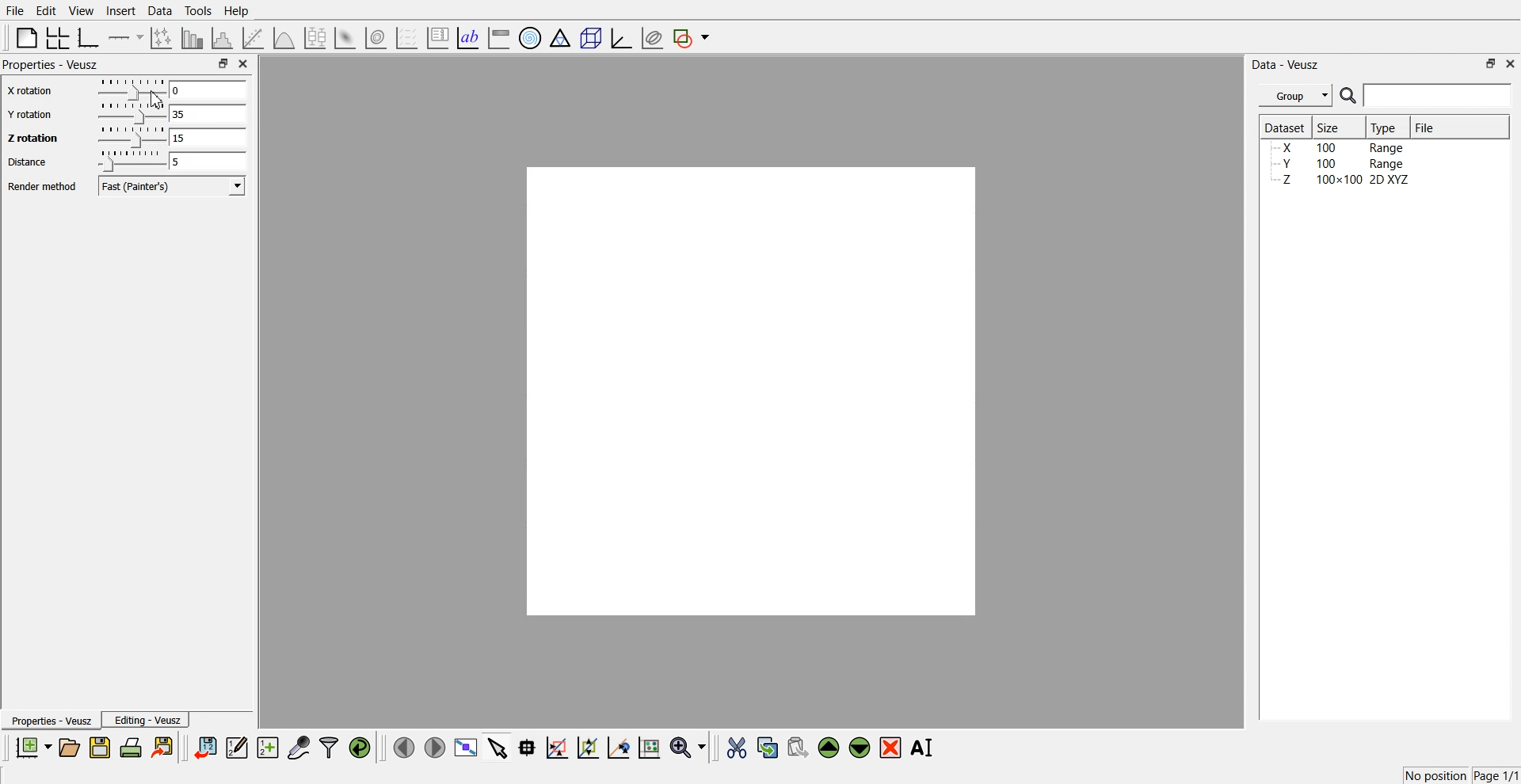 Image resolution: width=1521 pixels, height=784 pixels. What do you see at coordinates (50, 720) in the screenshot?
I see `Properties - Veusz` at bounding box center [50, 720].